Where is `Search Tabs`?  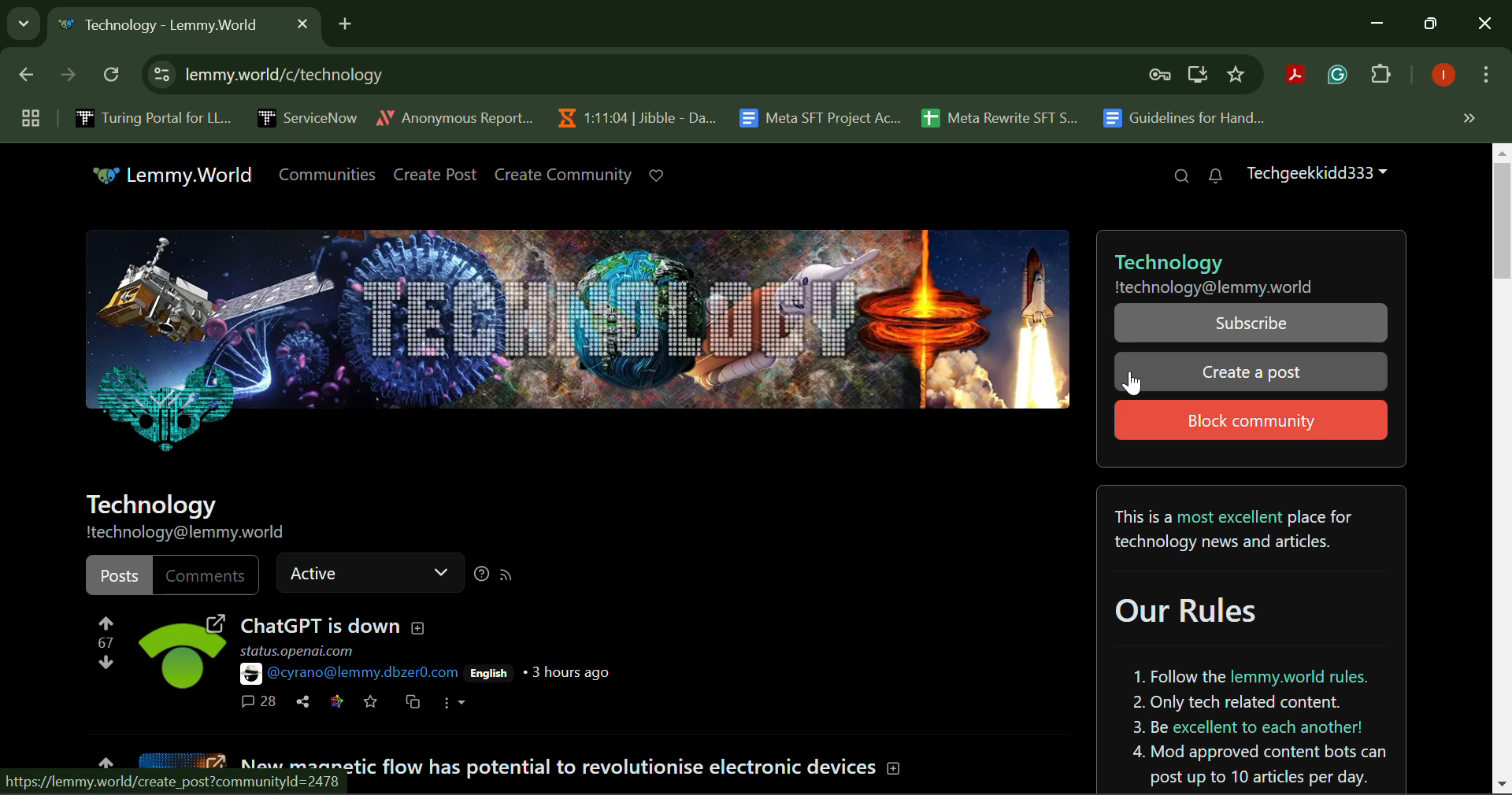 Search Tabs is located at coordinates (20, 21).